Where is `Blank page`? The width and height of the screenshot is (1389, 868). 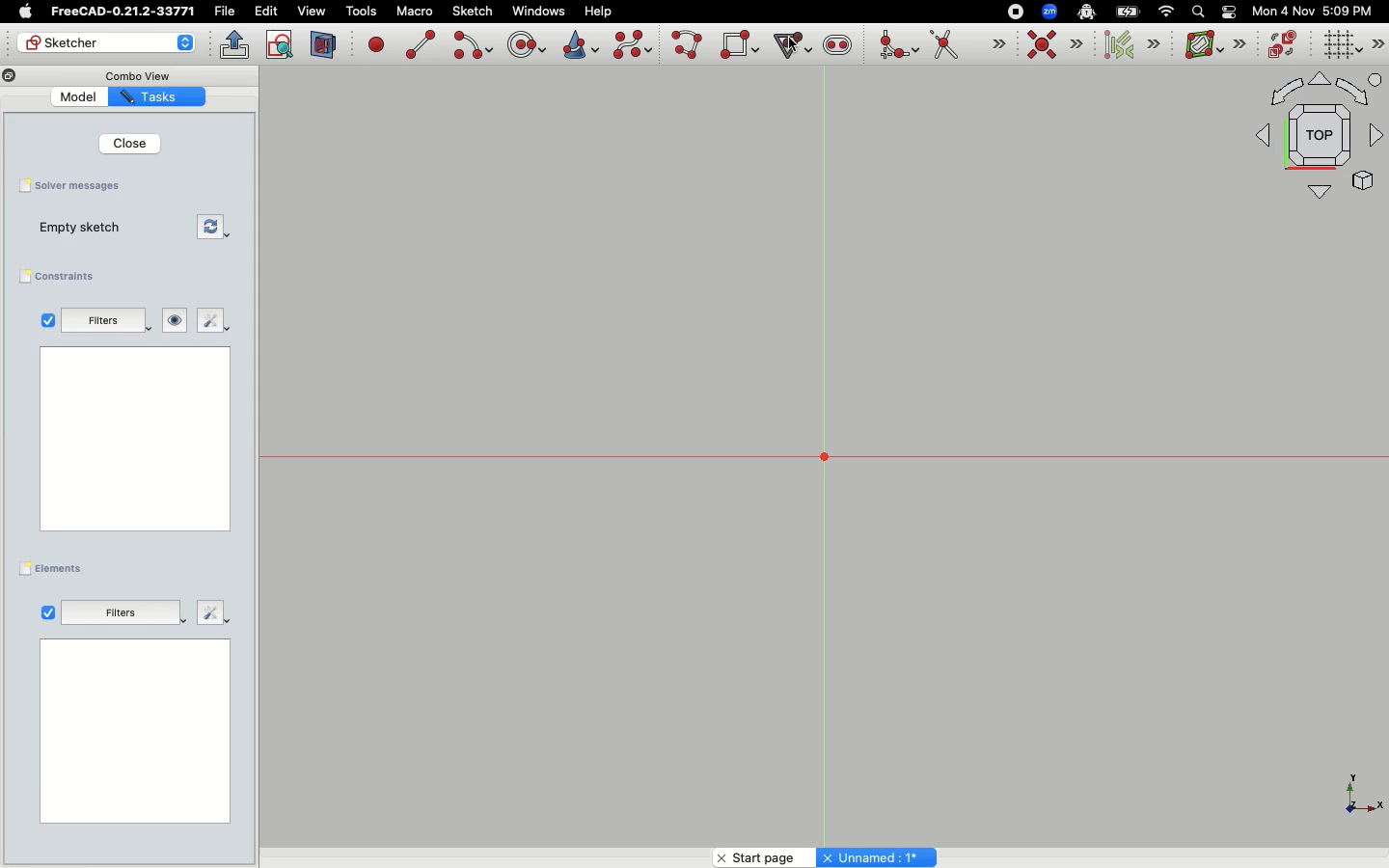
Blank page is located at coordinates (138, 732).